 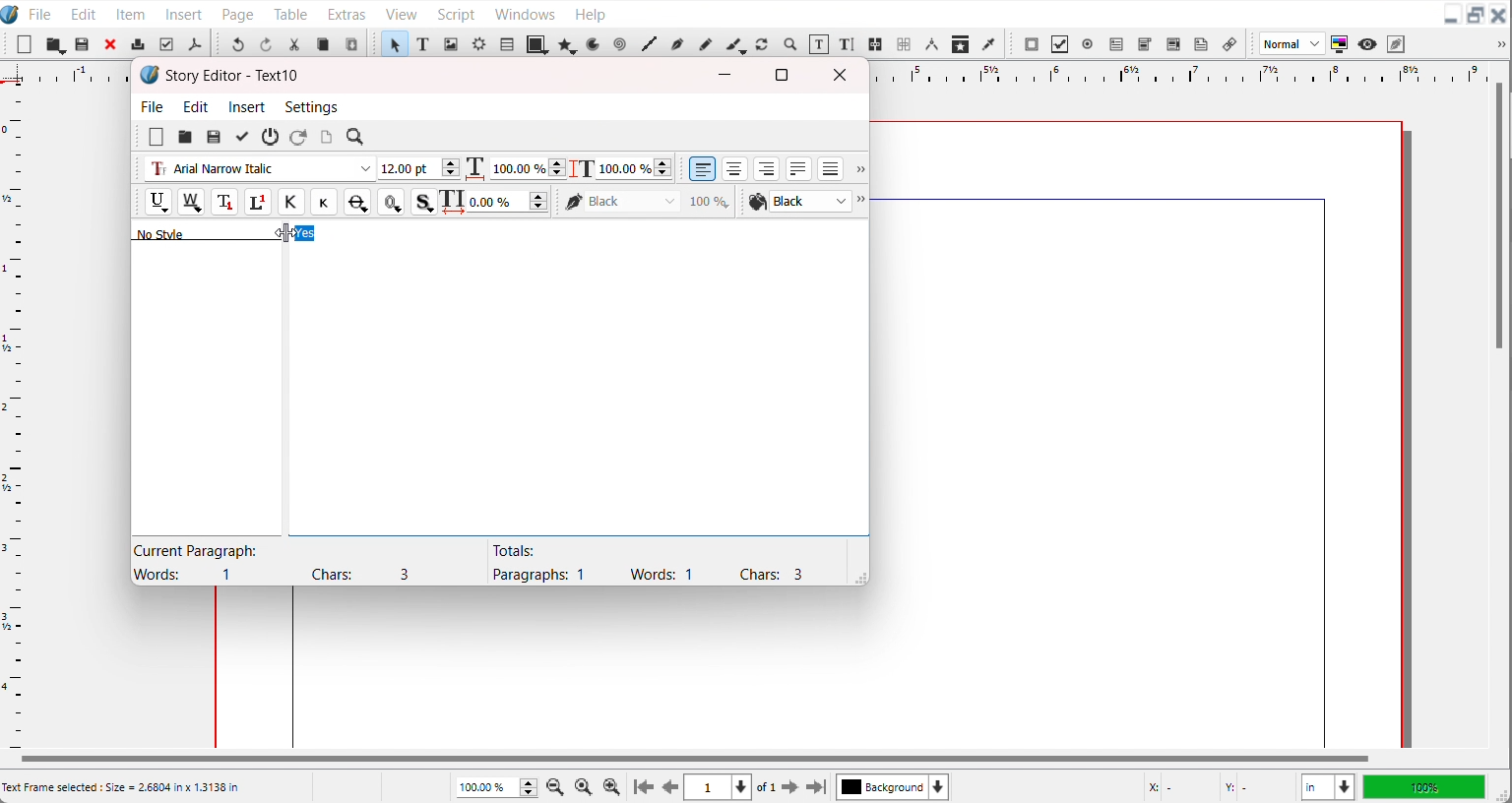 I want to click on File, so click(x=154, y=105).